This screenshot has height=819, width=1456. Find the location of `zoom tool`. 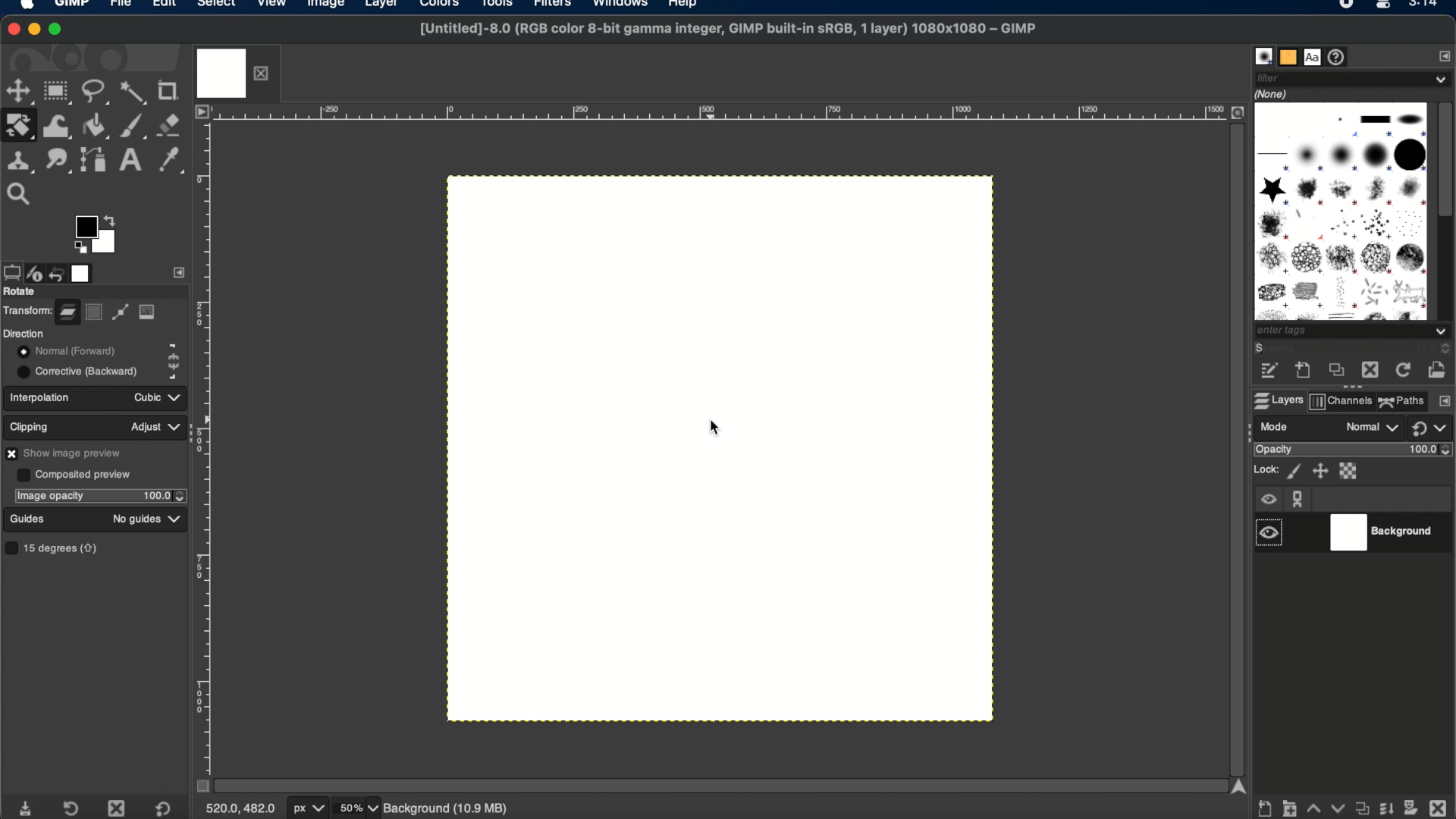

zoom tool is located at coordinates (24, 192).